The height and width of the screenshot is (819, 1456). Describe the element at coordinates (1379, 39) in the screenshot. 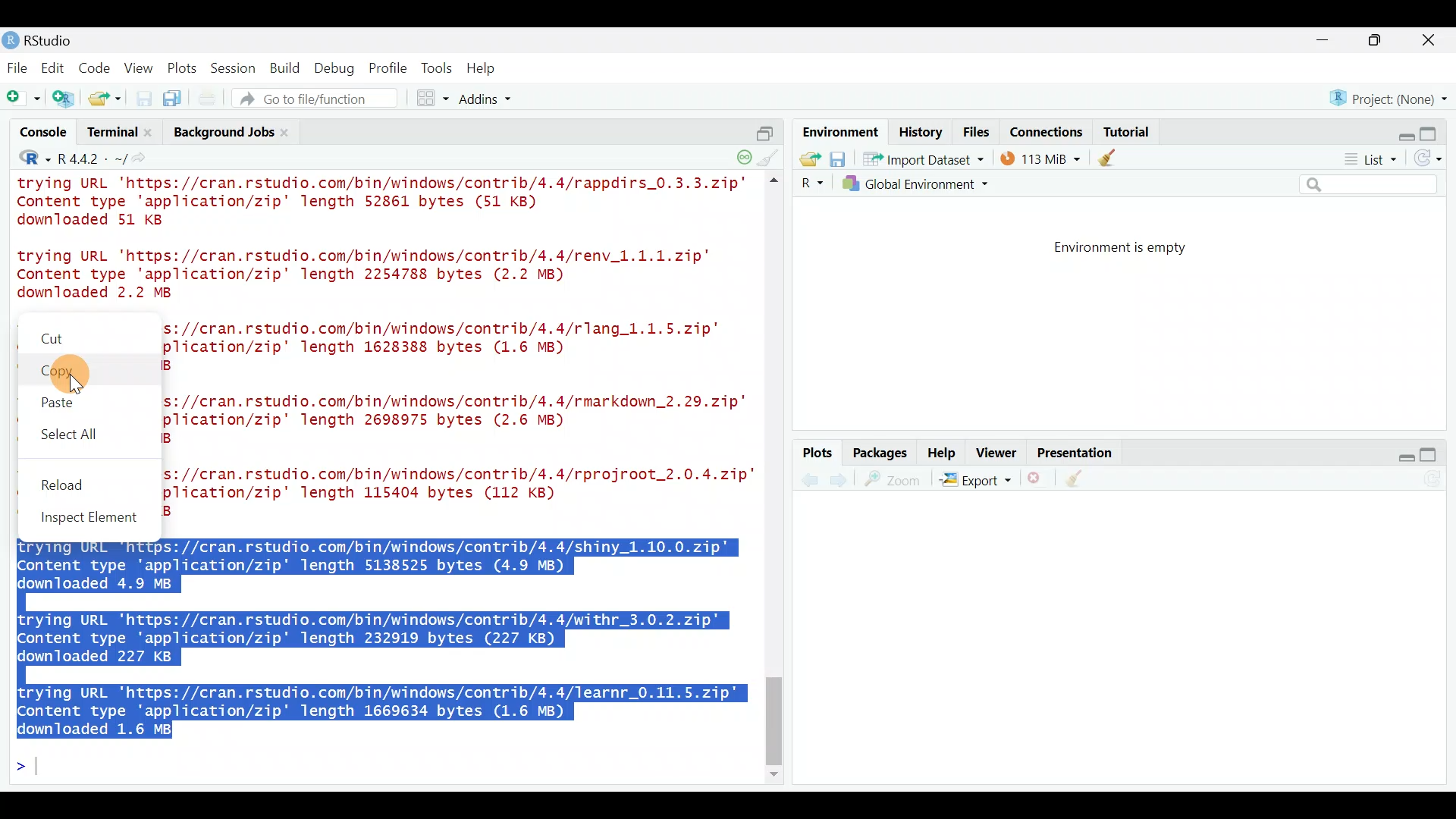

I see `maximize` at that location.